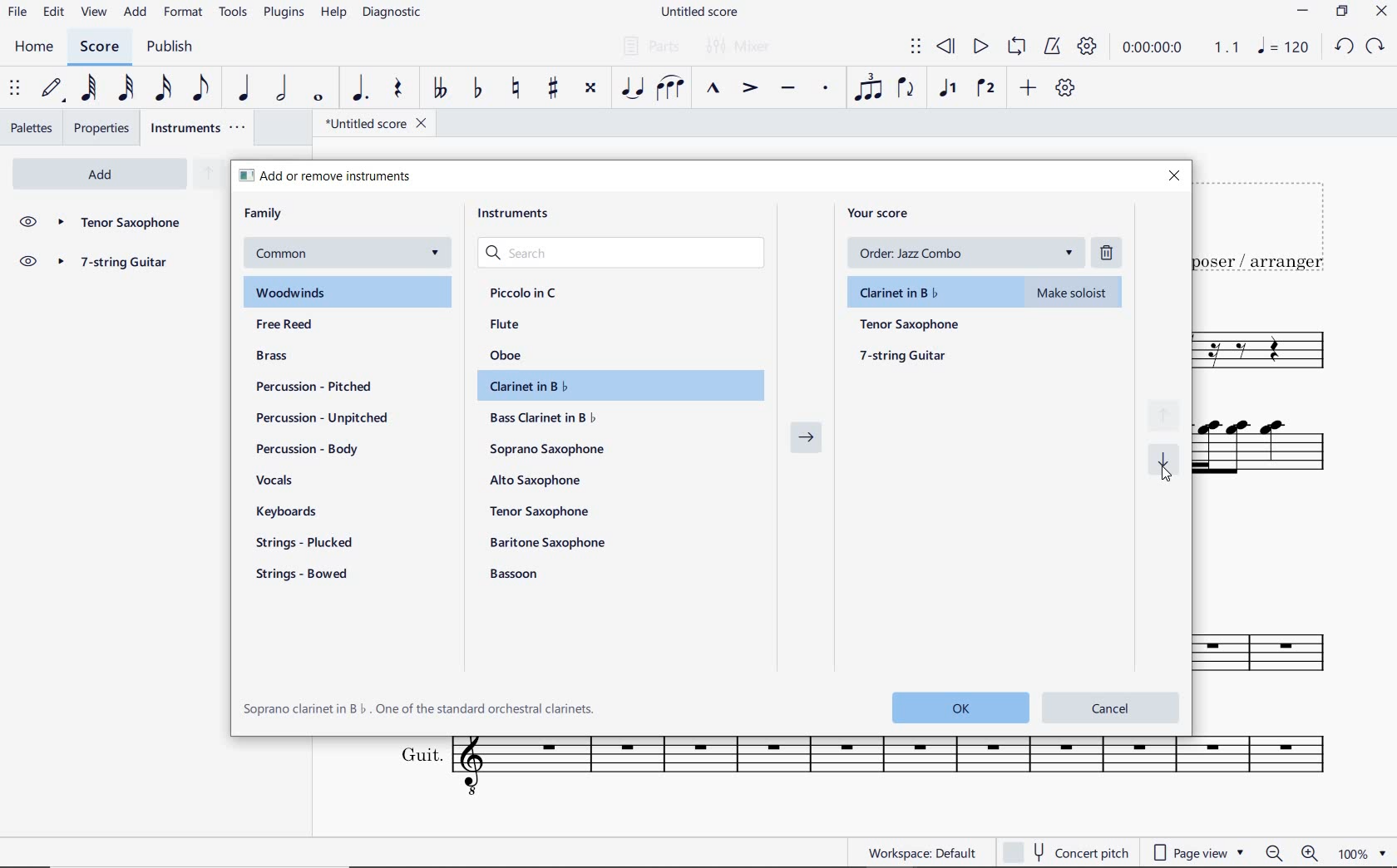 The image size is (1397, 868). I want to click on HALF NOTE, so click(281, 88).